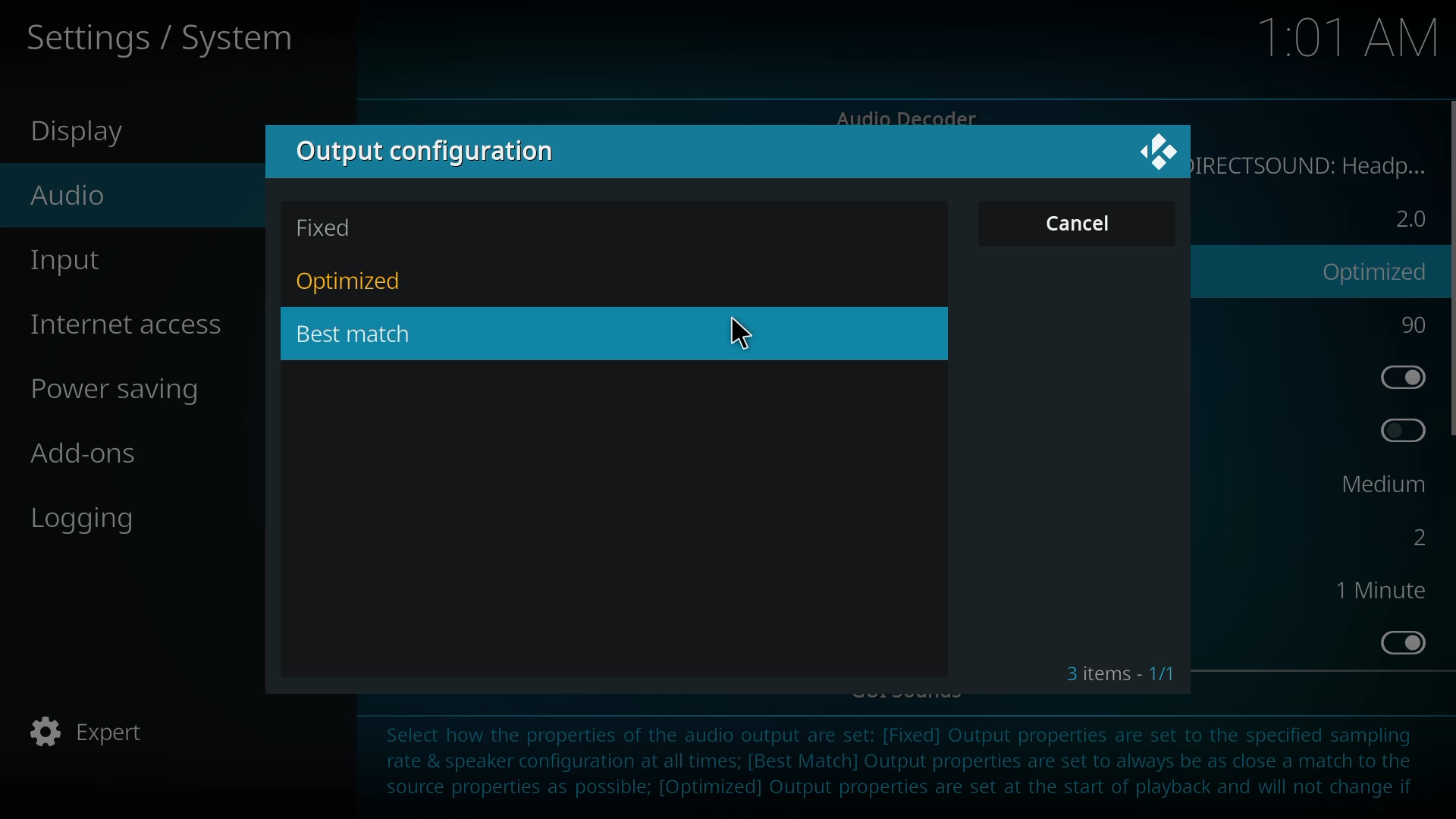 The image size is (1456, 819). Describe the element at coordinates (1399, 375) in the screenshot. I see `enabled` at that location.